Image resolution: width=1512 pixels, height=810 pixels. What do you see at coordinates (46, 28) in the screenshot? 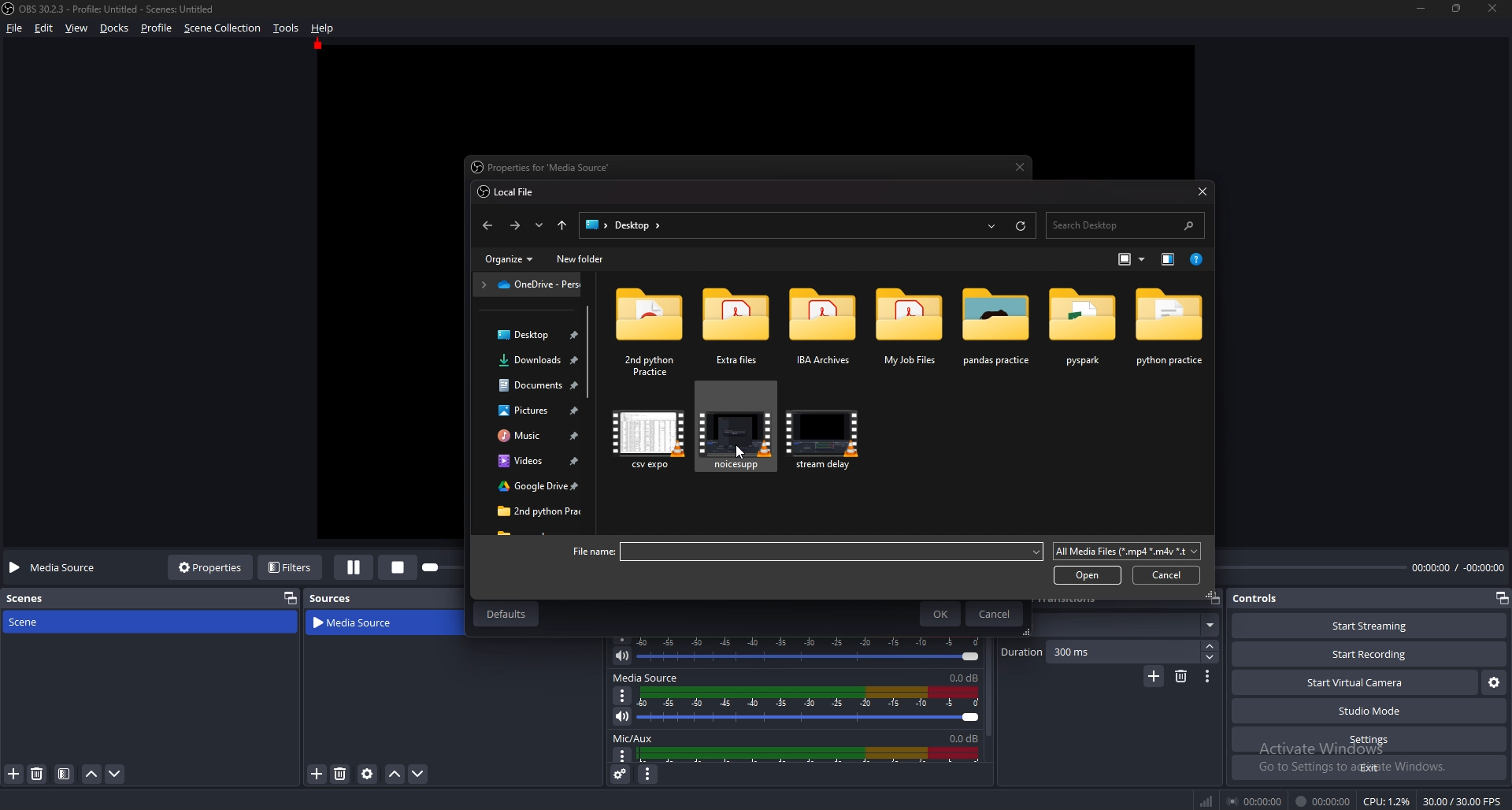
I see `Edit` at bounding box center [46, 28].